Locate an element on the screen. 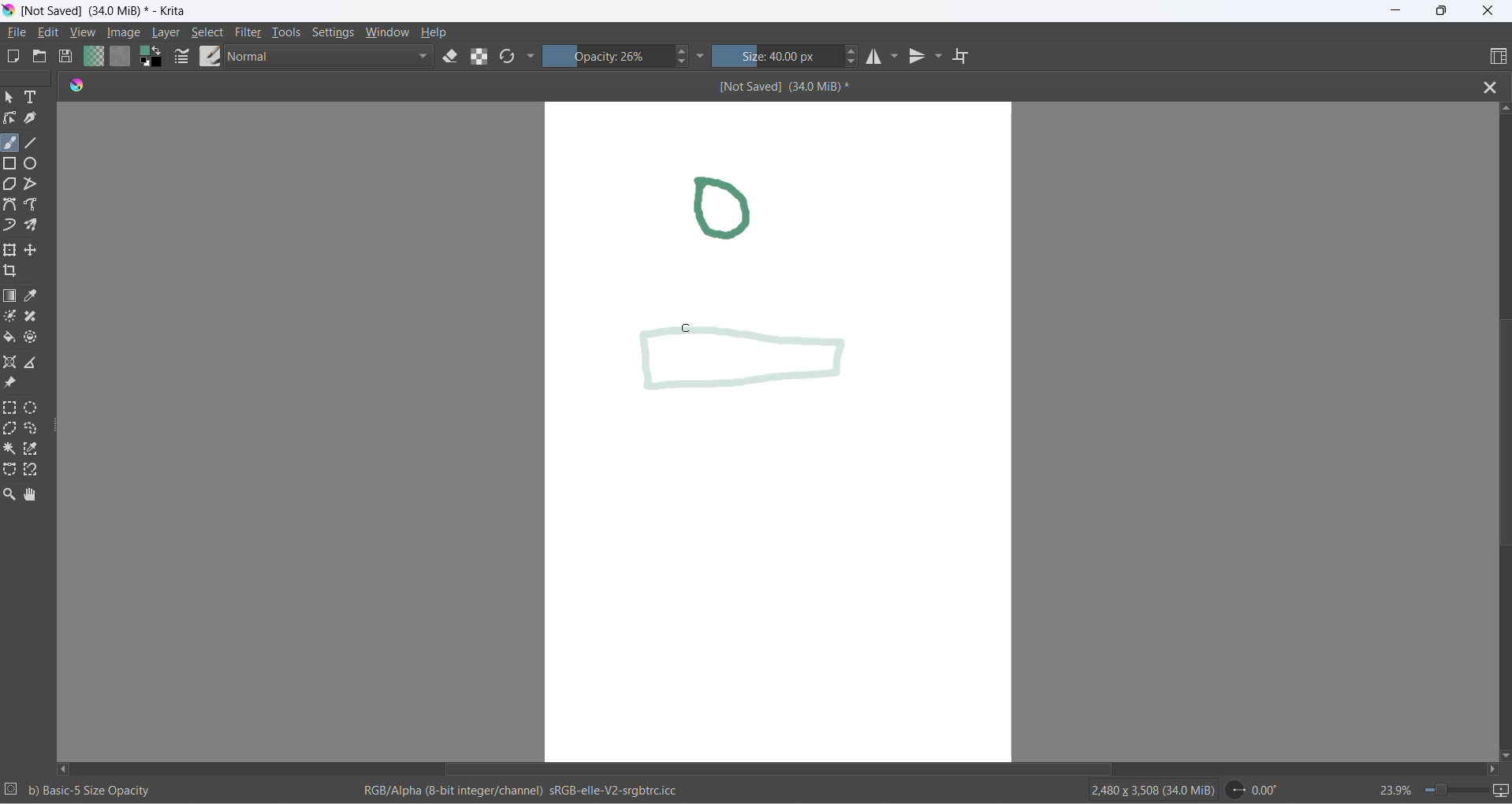  Bezier tool  is located at coordinates (10, 206).